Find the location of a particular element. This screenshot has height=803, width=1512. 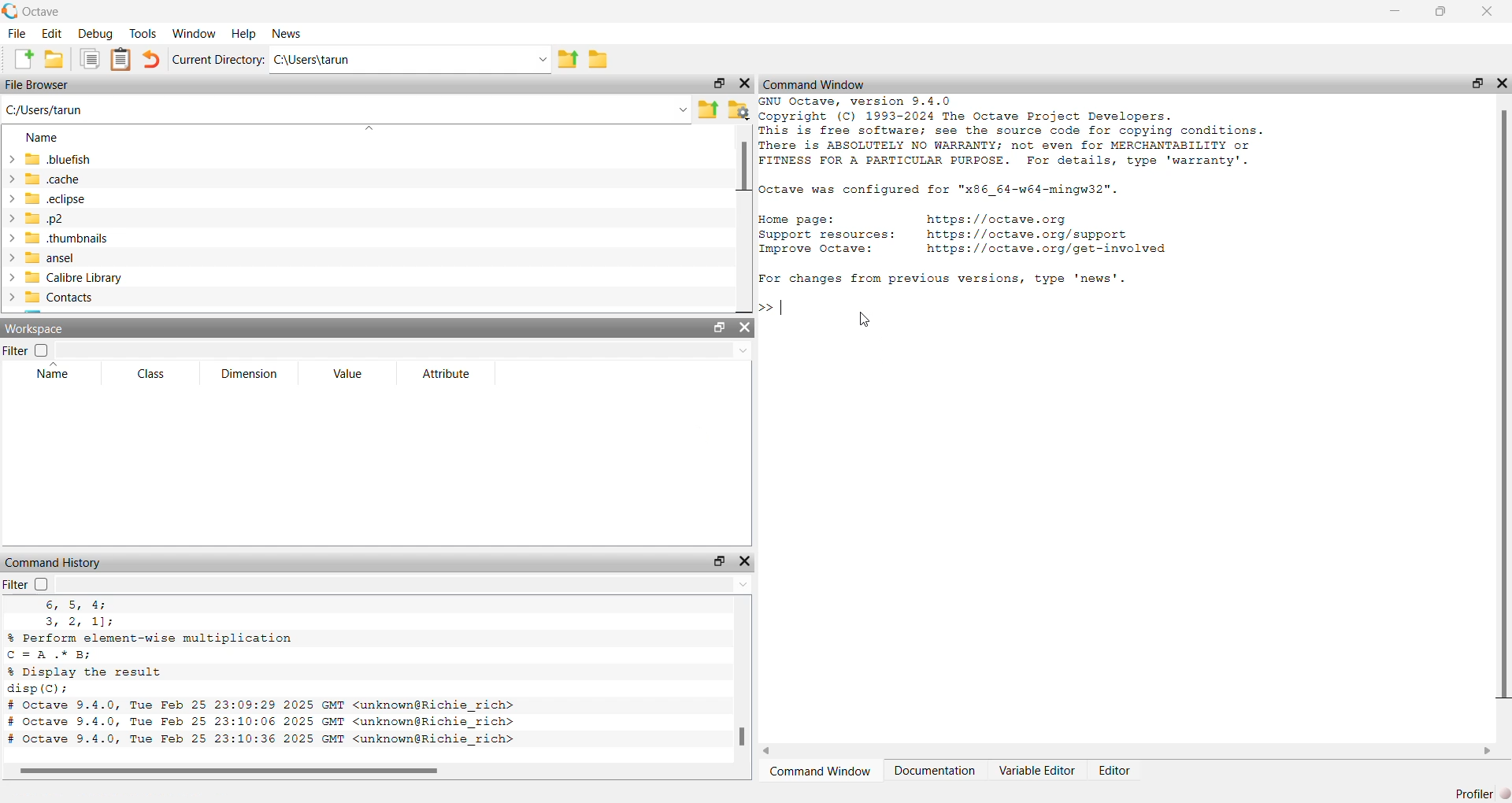

News is located at coordinates (287, 33).